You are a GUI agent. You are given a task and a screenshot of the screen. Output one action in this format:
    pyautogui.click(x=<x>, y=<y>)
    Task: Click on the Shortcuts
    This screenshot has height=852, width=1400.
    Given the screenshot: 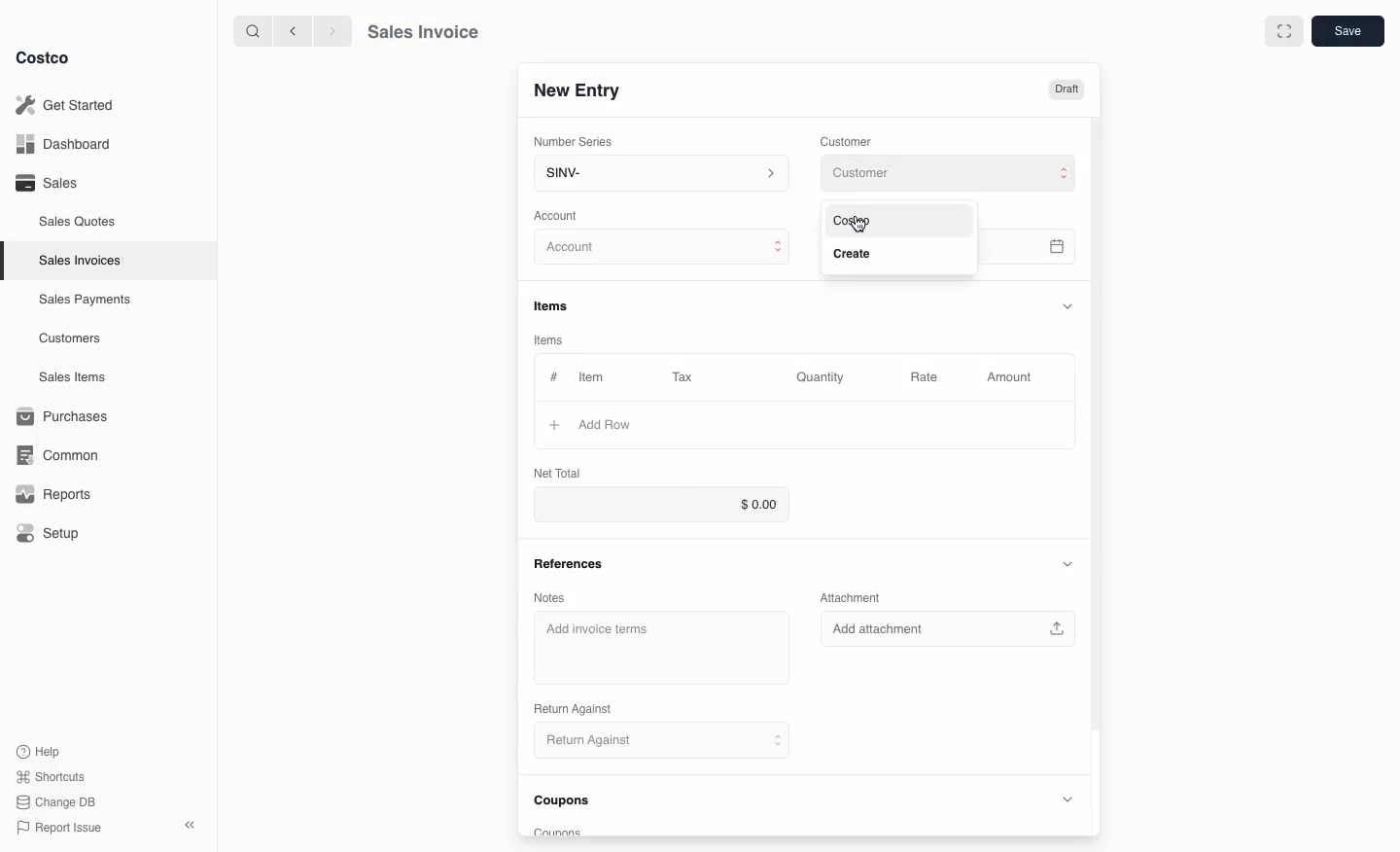 What is the action you would take?
    pyautogui.click(x=50, y=775)
    